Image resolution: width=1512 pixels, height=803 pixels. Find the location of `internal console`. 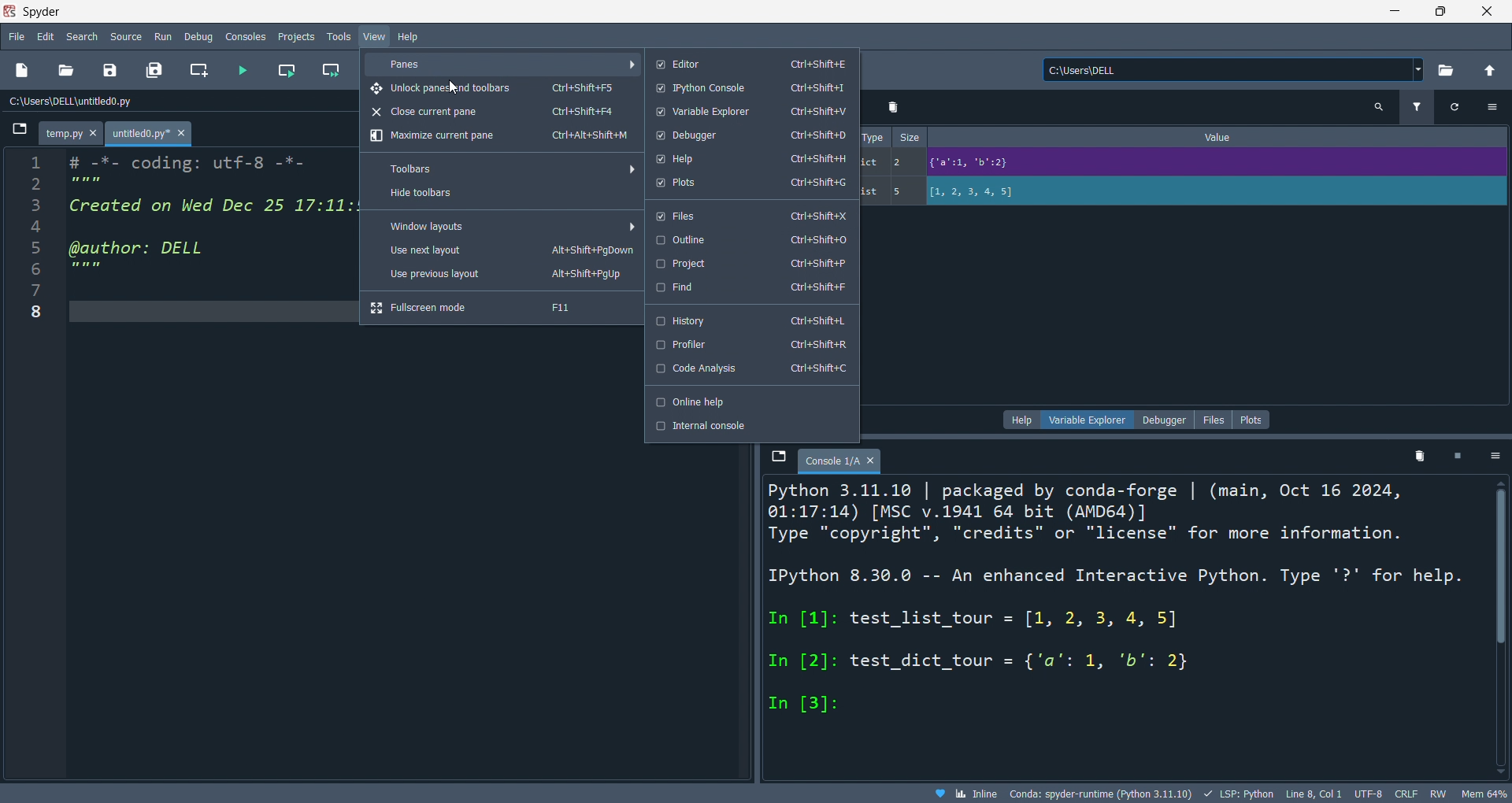

internal console is located at coordinates (750, 426).